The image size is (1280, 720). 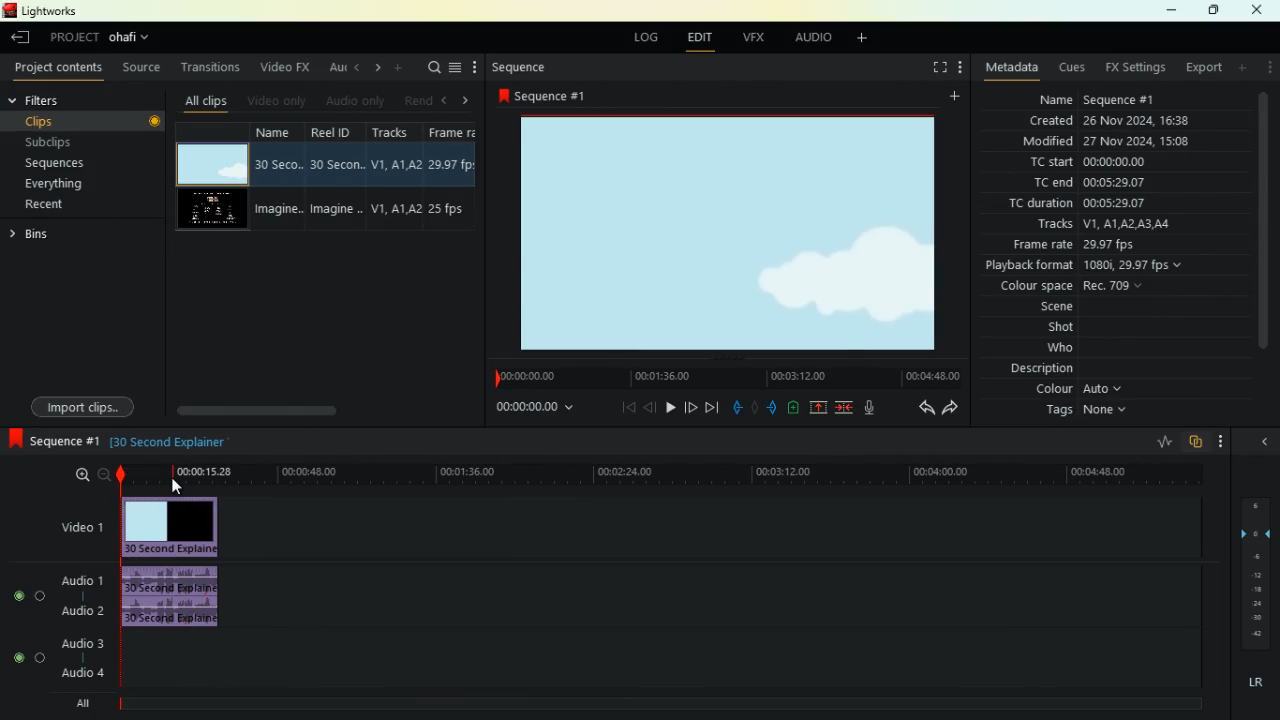 What do you see at coordinates (1038, 368) in the screenshot?
I see `description` at bounding box center [1038, 368].